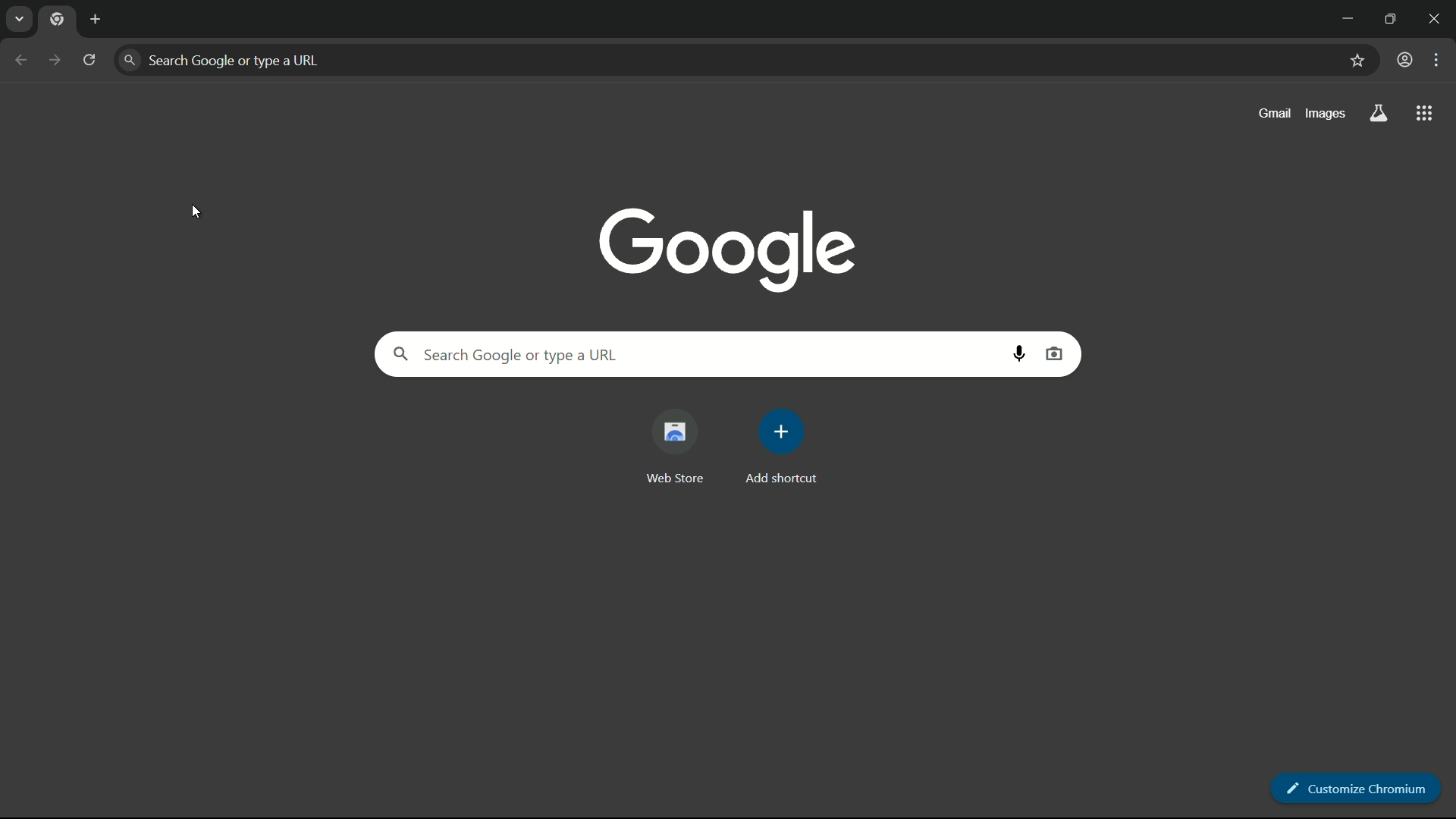 The image size is (1456, 819). What do you see at coordinates (48, 55) in the screenshot?
I see `next page` at bounding box center [48, 55].